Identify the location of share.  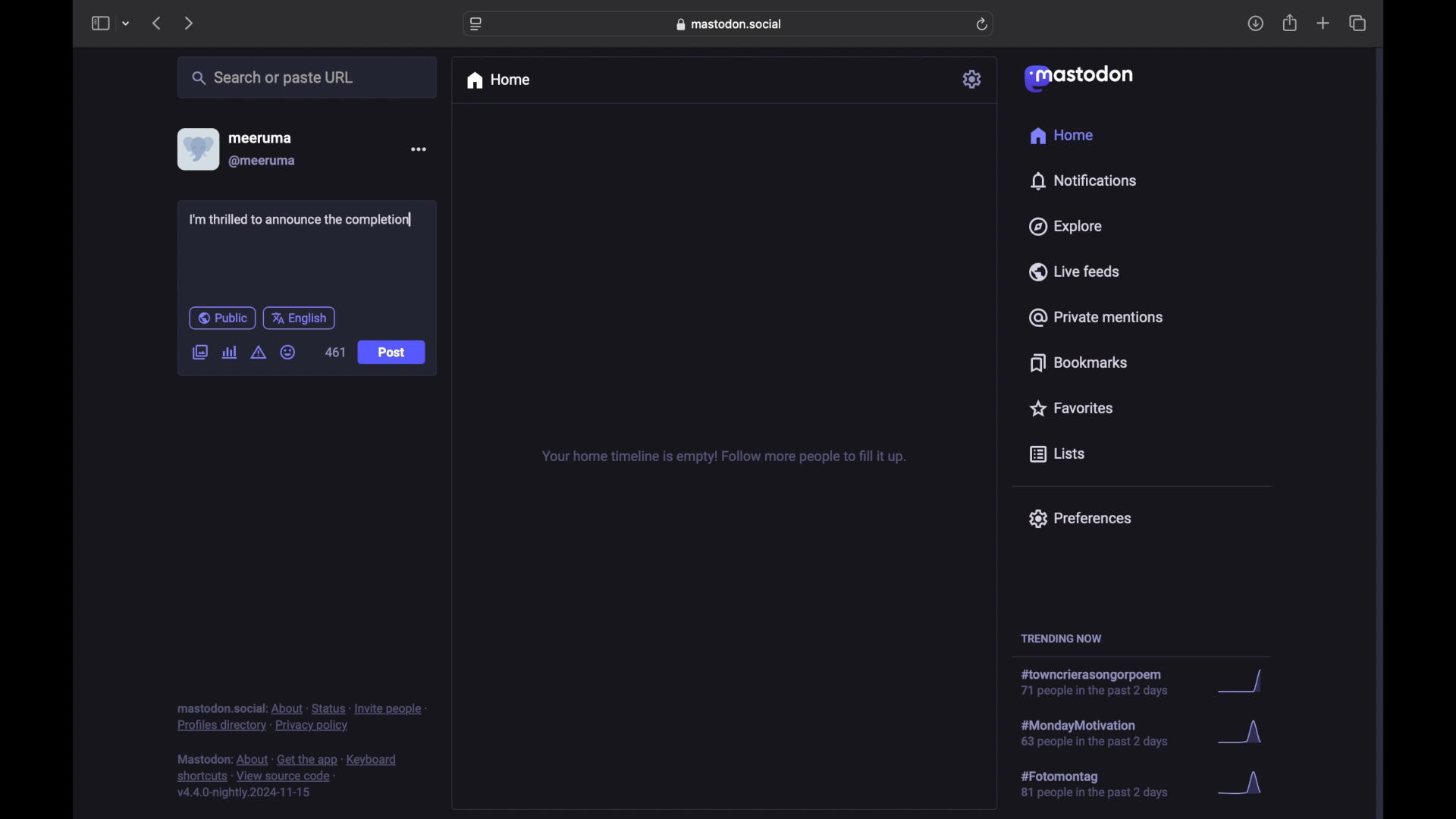
(1291, 23).